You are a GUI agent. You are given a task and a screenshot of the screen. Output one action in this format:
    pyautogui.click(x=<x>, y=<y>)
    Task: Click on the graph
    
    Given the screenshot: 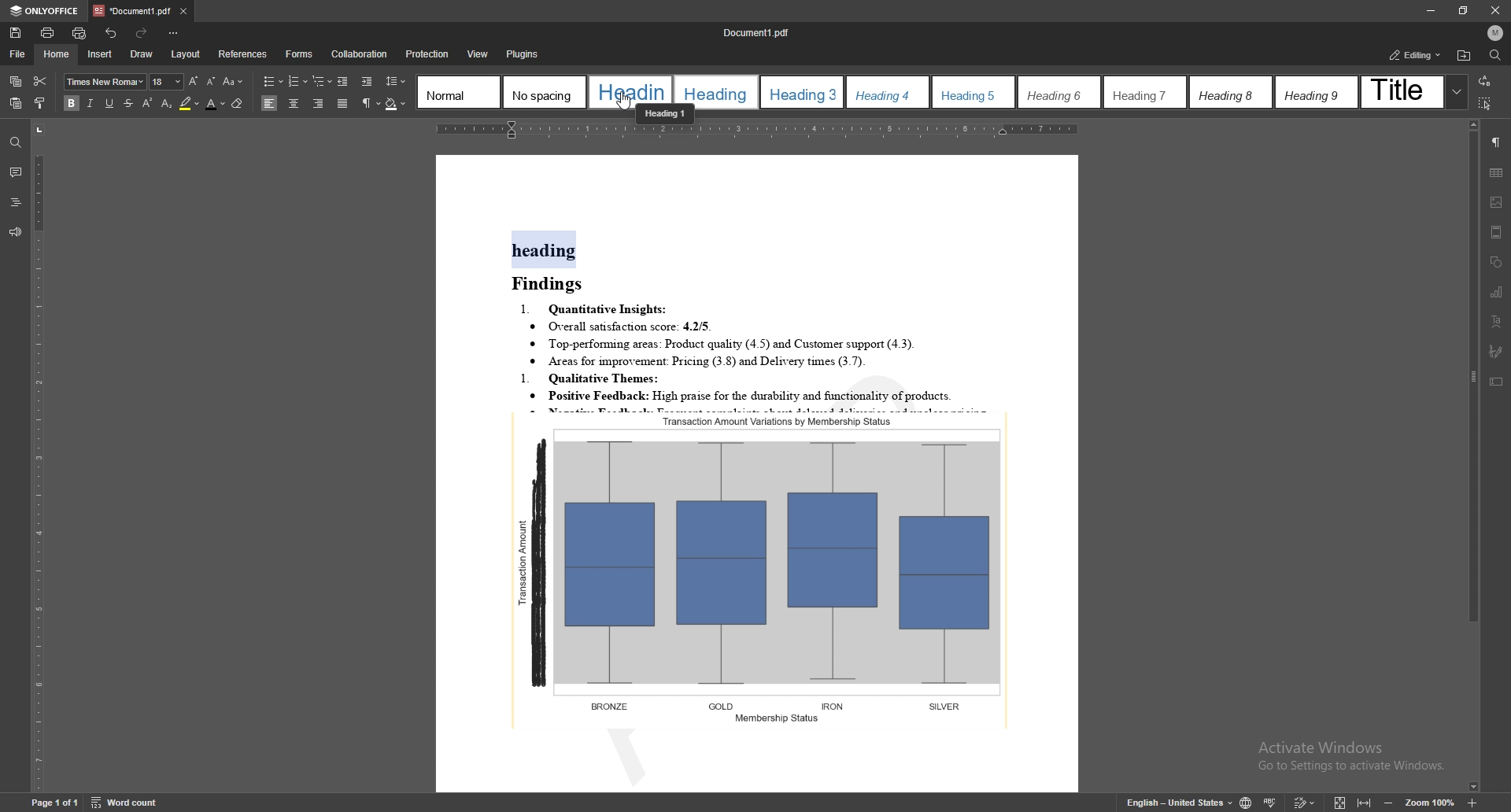 What is the action you would take?
    pyautogui.click(x=763, y=569)
    